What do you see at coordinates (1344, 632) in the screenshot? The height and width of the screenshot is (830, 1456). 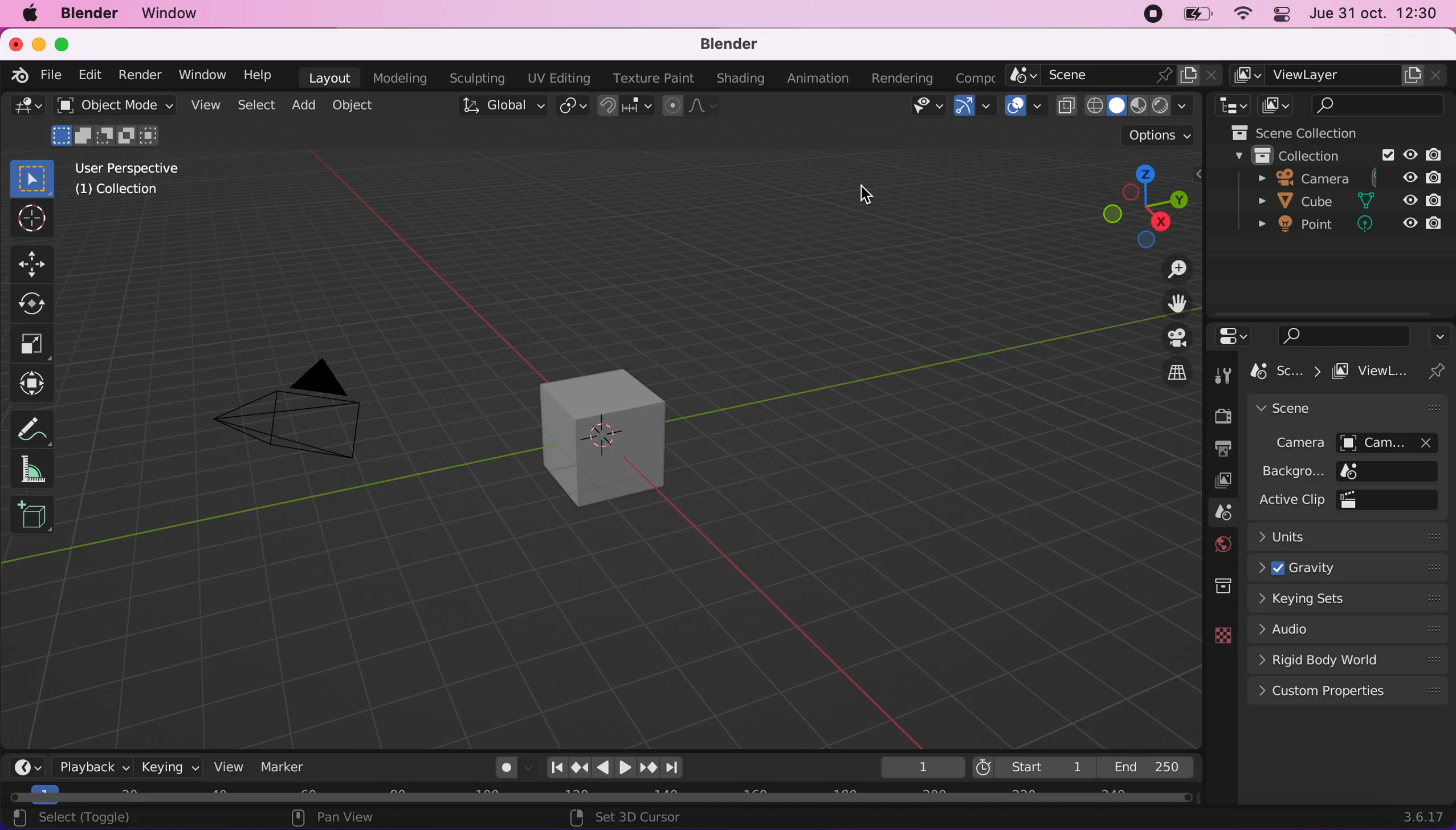 I see `audio` at bounding box center [1344, 632].